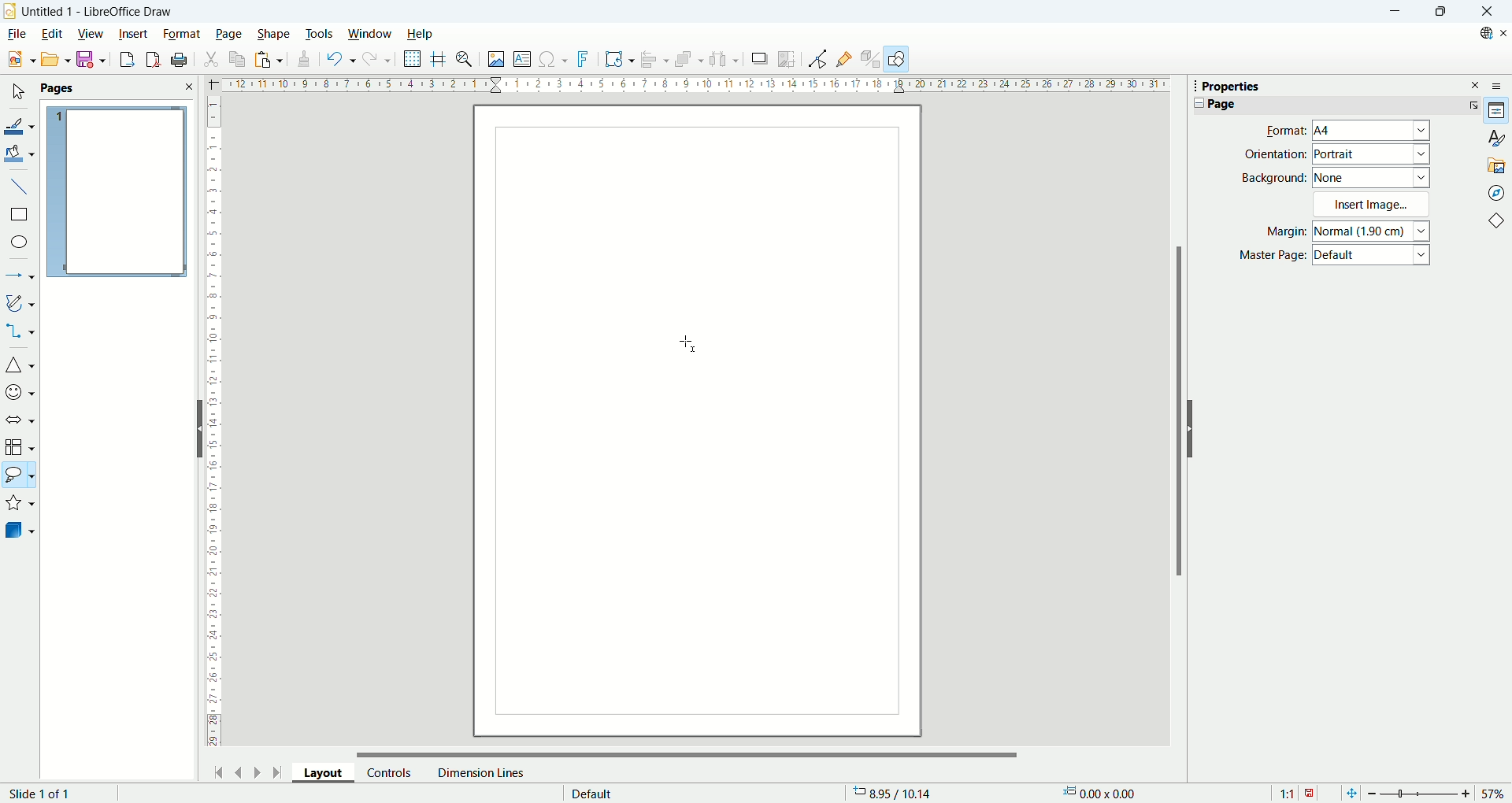 This screenshot has width=1512, height=803. What do you see at coordinates (20, 367) in the screenshot?
I see `basic shapes` at bounding box center [20, 367].